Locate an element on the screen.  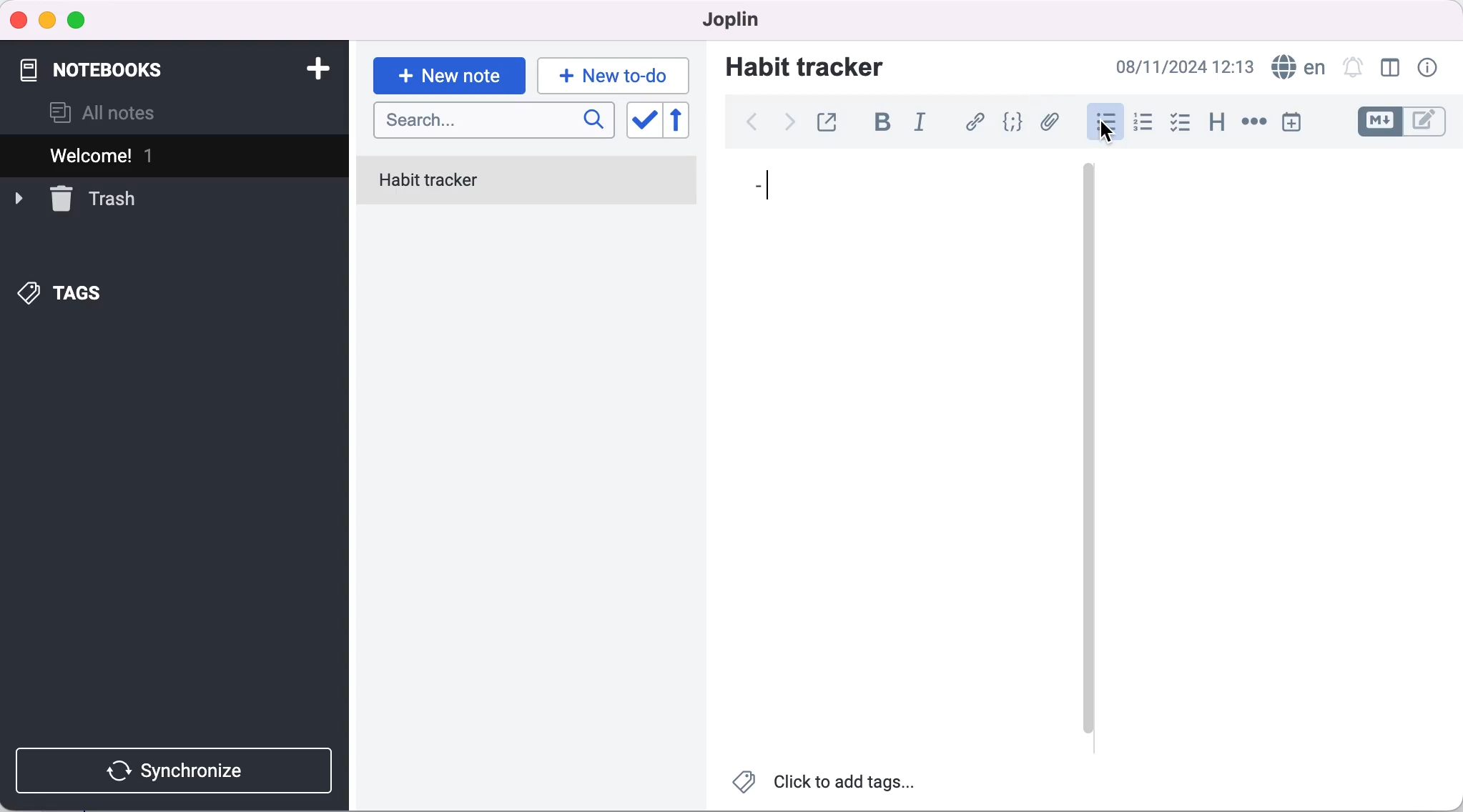
italic is located at coordinates (924, 124).